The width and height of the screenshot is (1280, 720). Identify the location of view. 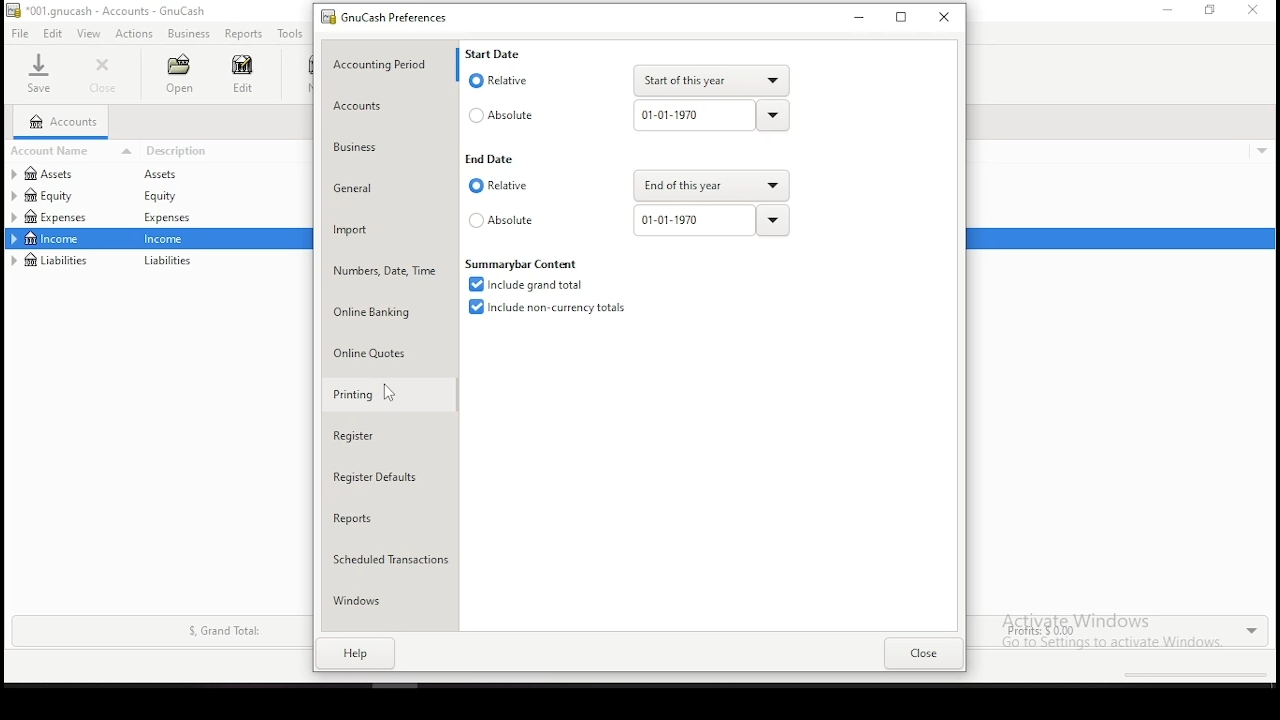
(89, 34).